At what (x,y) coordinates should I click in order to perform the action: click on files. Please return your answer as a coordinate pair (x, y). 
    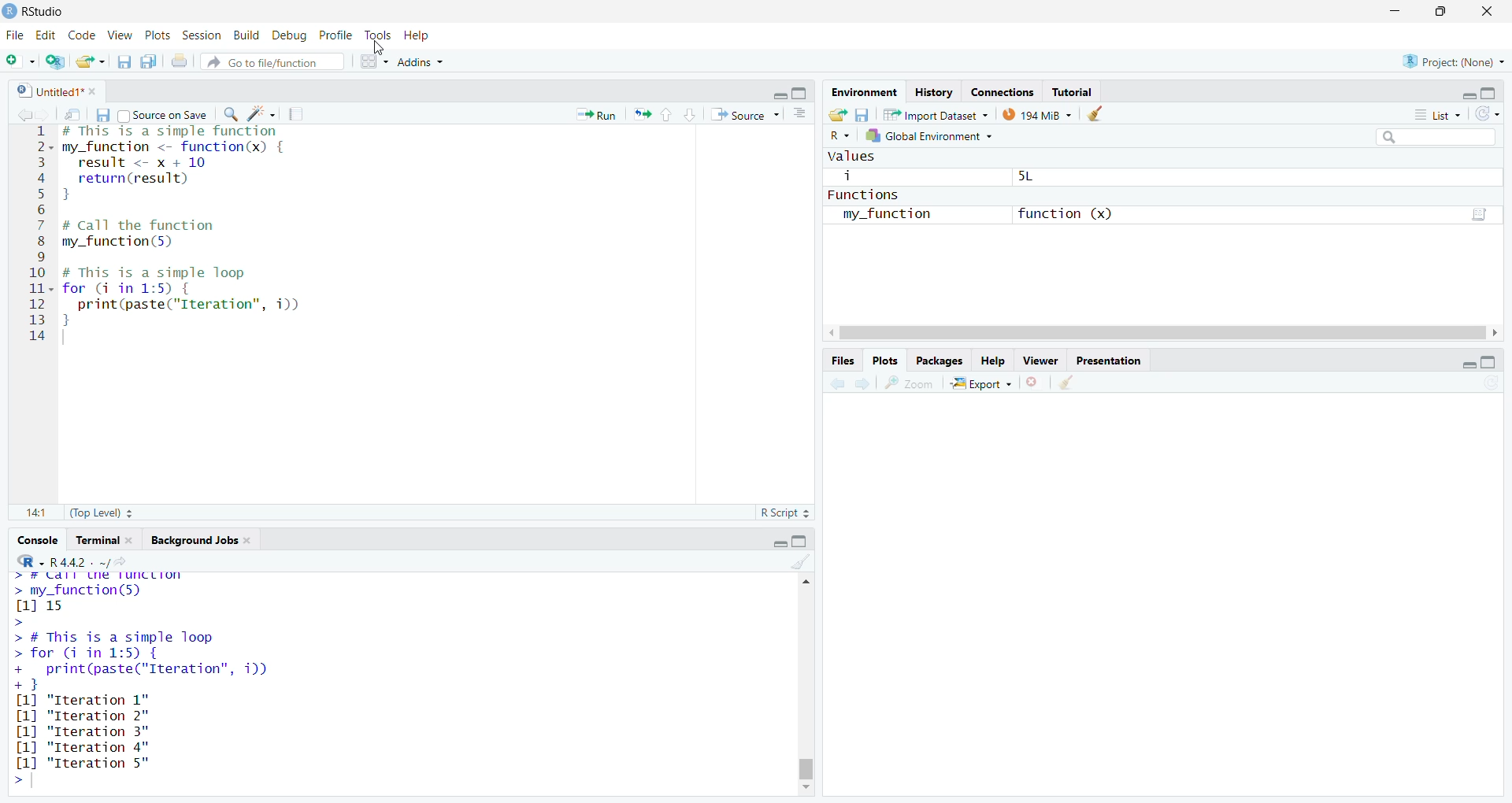
    Looking at the image, I should click on (841, 362).